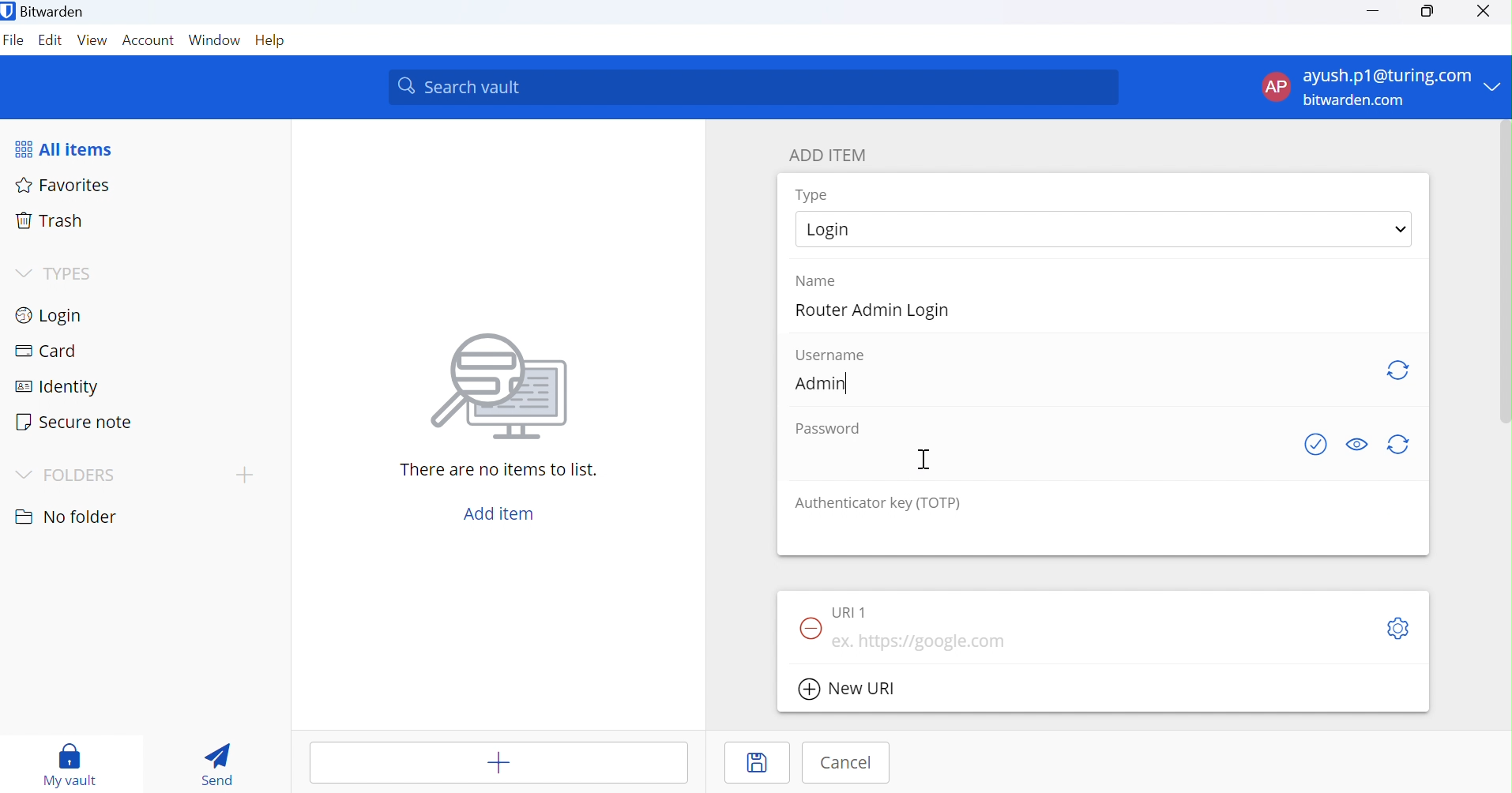 Image resolution: width=1512 pixels, height=793 pixels. Describe the element at coordinates (51, 223) in the screenshot. I see `Trash` at that location.